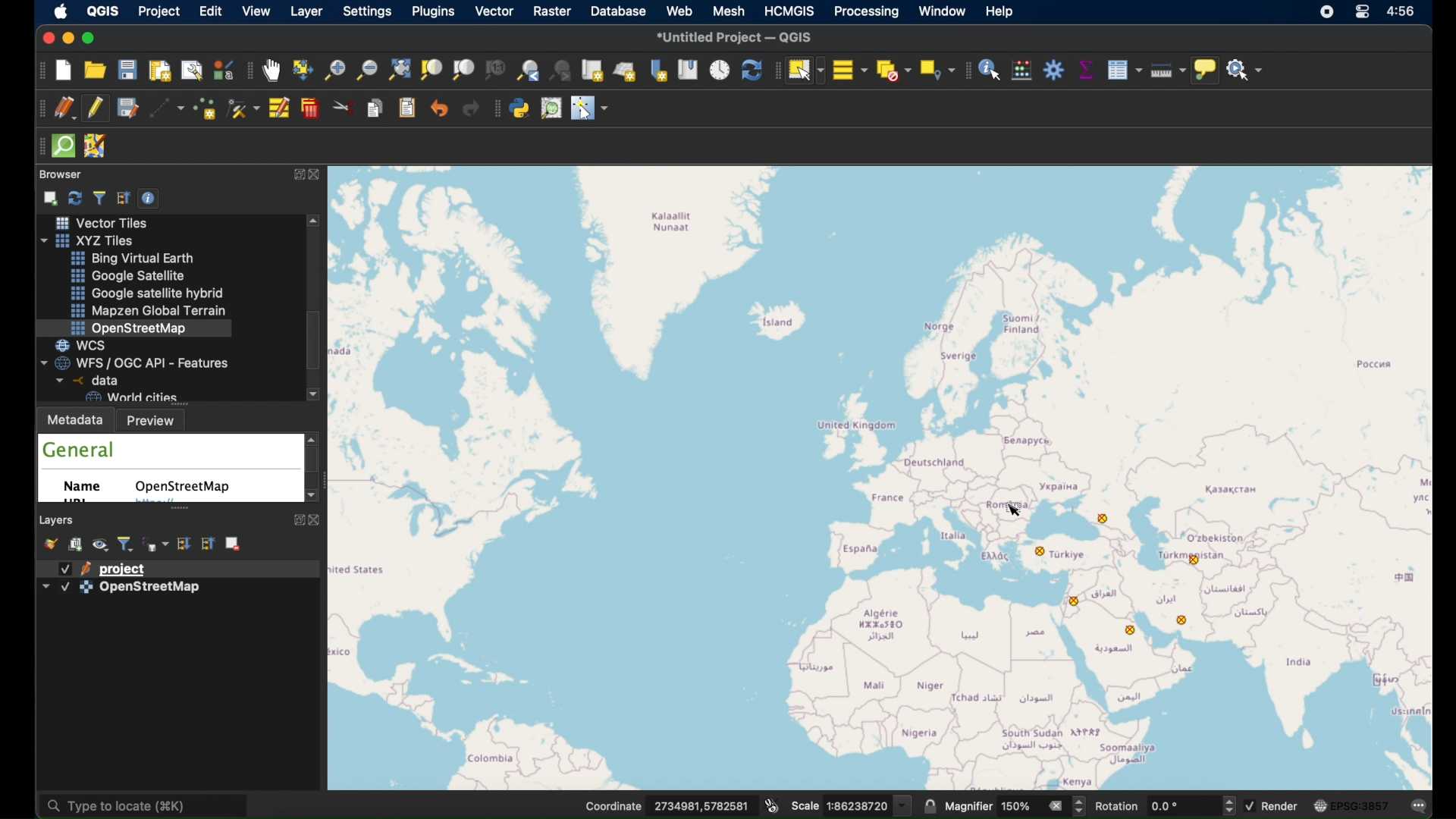 The image size is (1456, 819). I want to click on show attribute table, so click(1125, 70).